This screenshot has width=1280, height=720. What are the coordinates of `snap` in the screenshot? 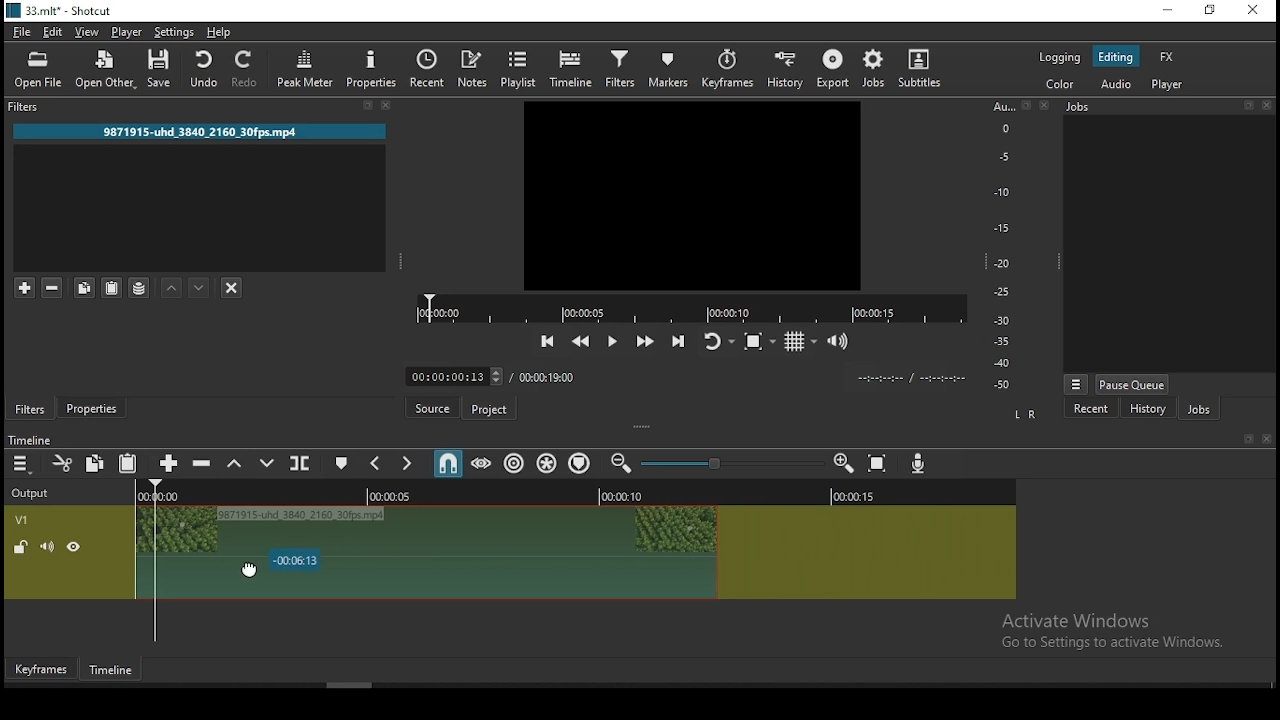 It's located at (451, 465).